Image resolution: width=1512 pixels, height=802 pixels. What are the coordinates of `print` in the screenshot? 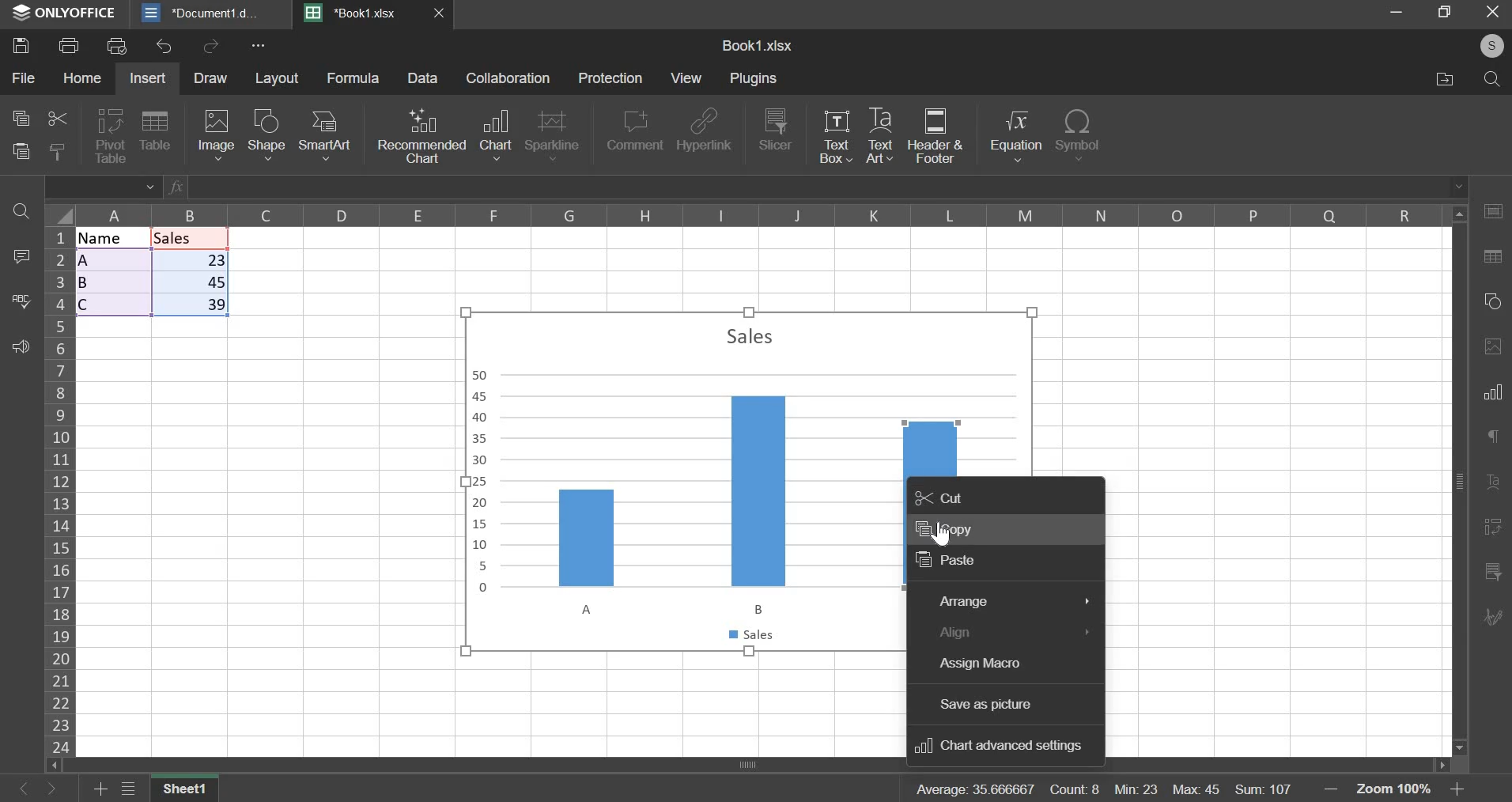 It's located at (69, 45).